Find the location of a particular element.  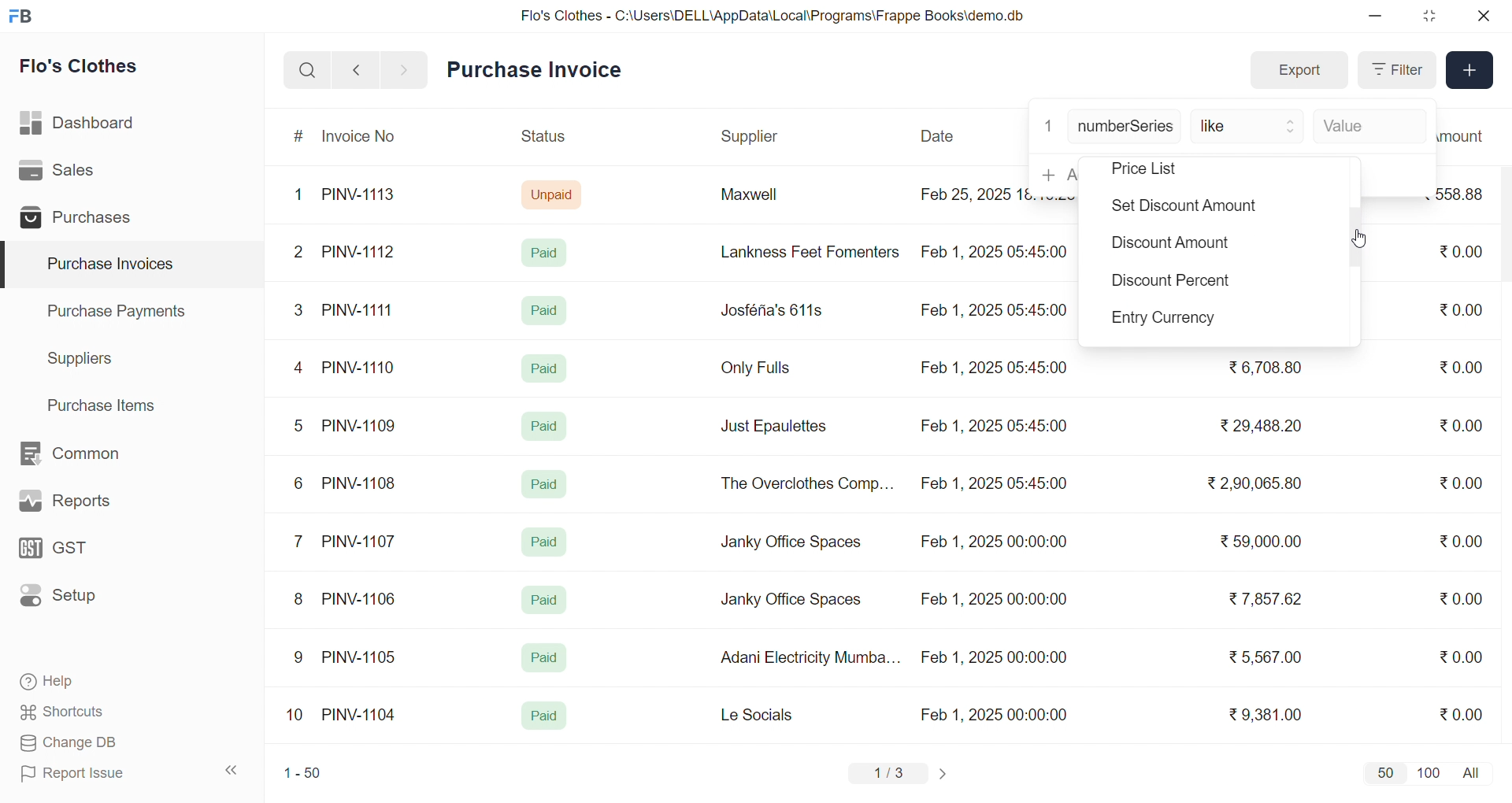

# is located at coordinates (299, 138).